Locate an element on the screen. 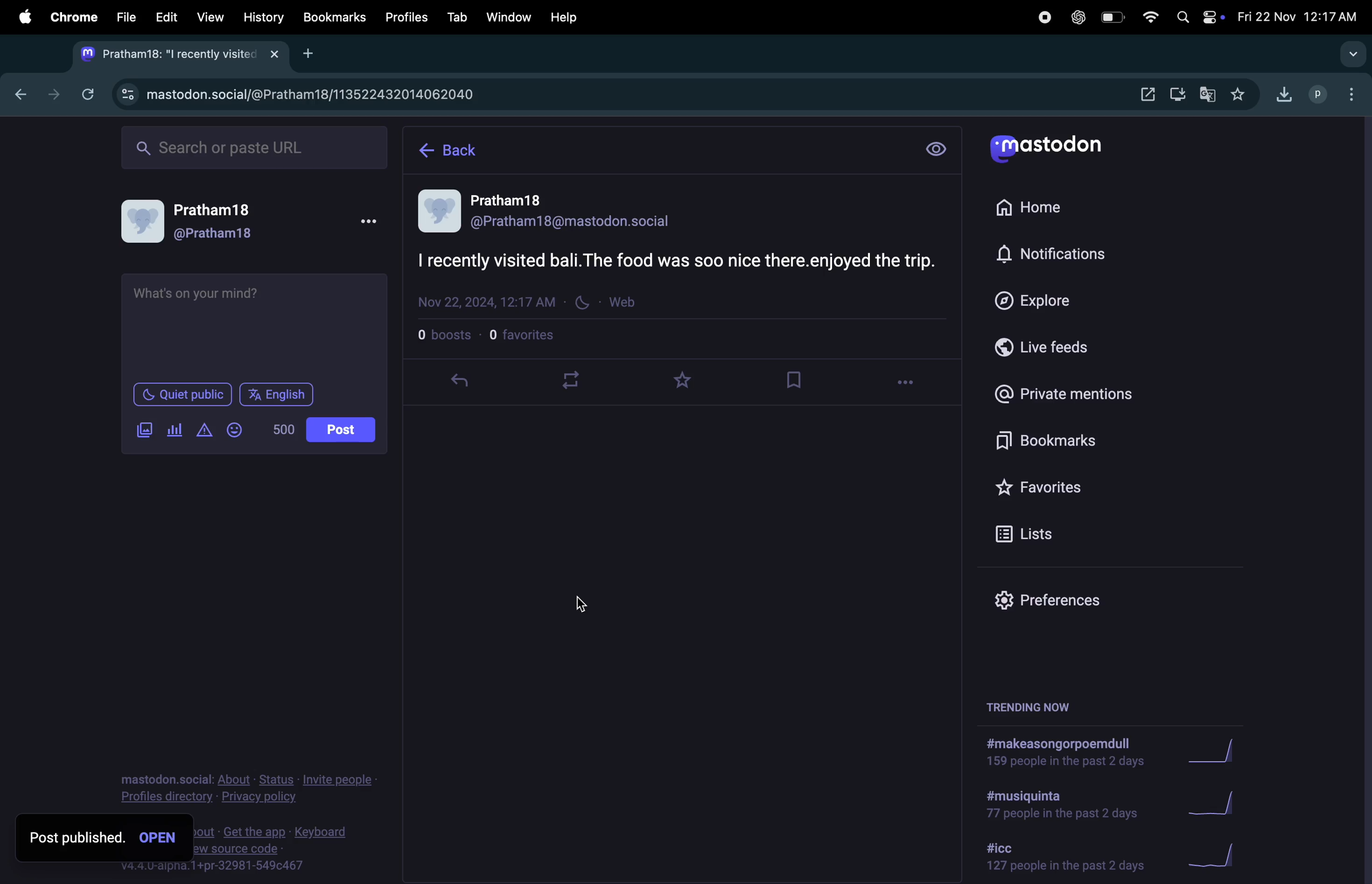  graph is located at coordinates (1217, 802).